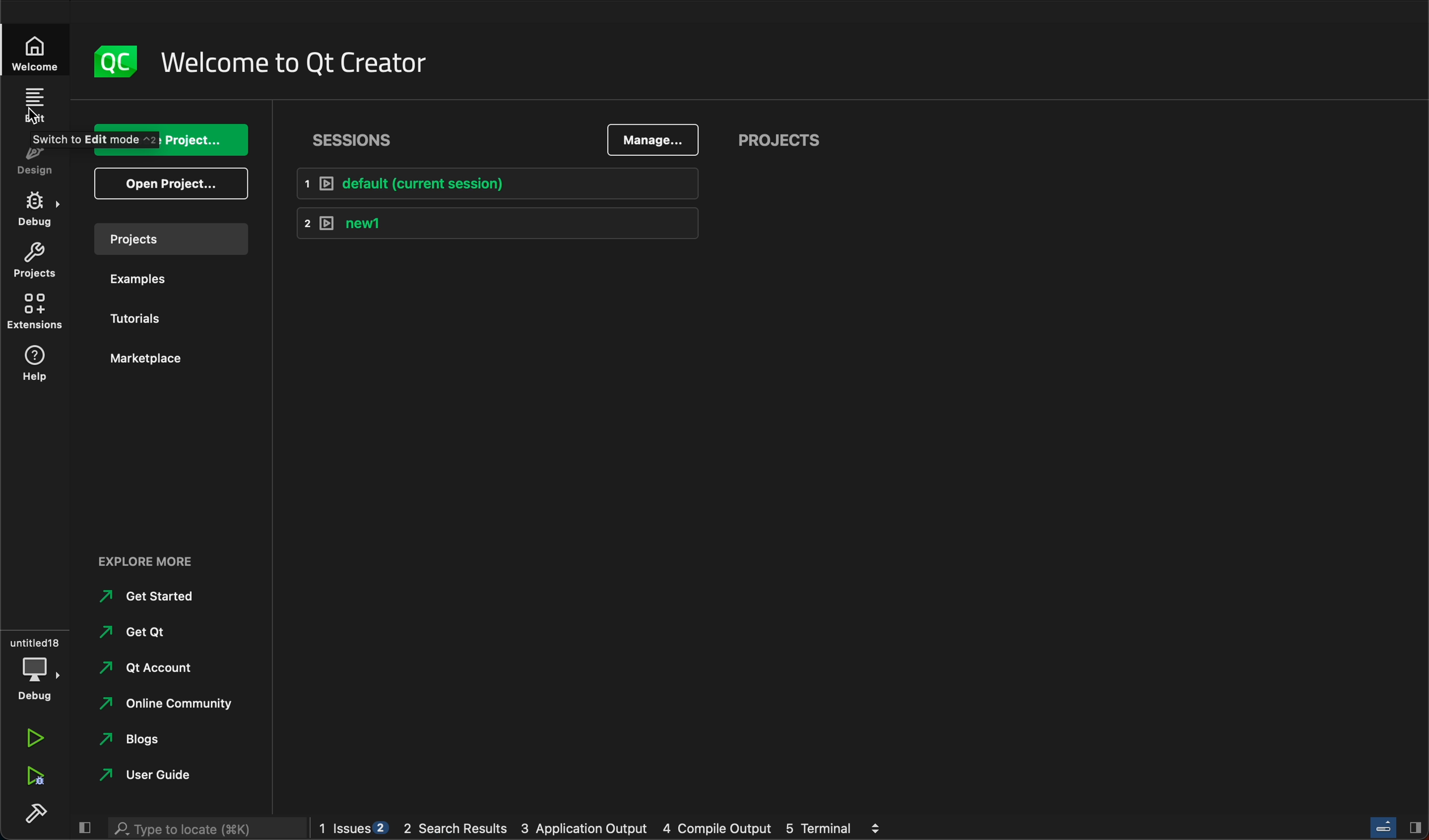 Image resolution: width=1429 pixels, height=840 pixels. Describe the element at coordinates (36, 104) in the screenshot. I see `ediT` at that location.